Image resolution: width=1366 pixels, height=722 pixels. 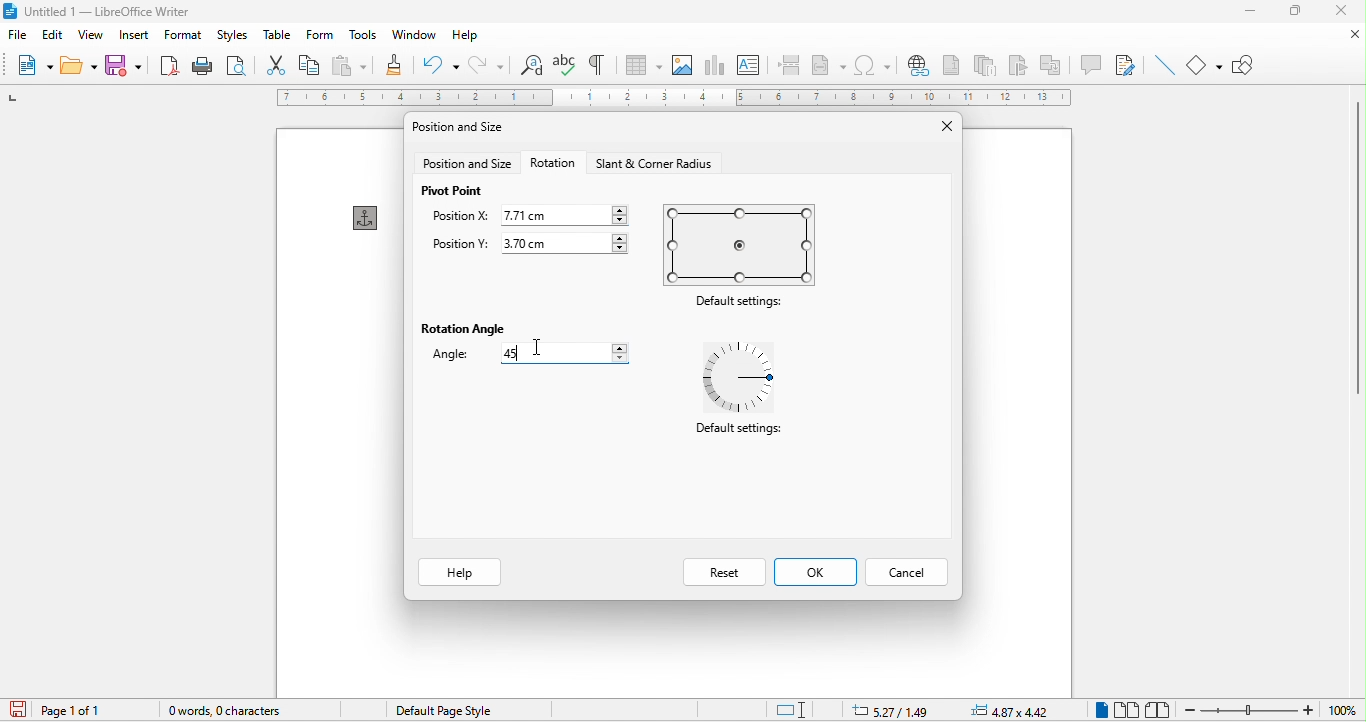 What do you see at coordinates (1091, 64) in the screenshot?
I see `comment` at bounding box center [1091, 64].